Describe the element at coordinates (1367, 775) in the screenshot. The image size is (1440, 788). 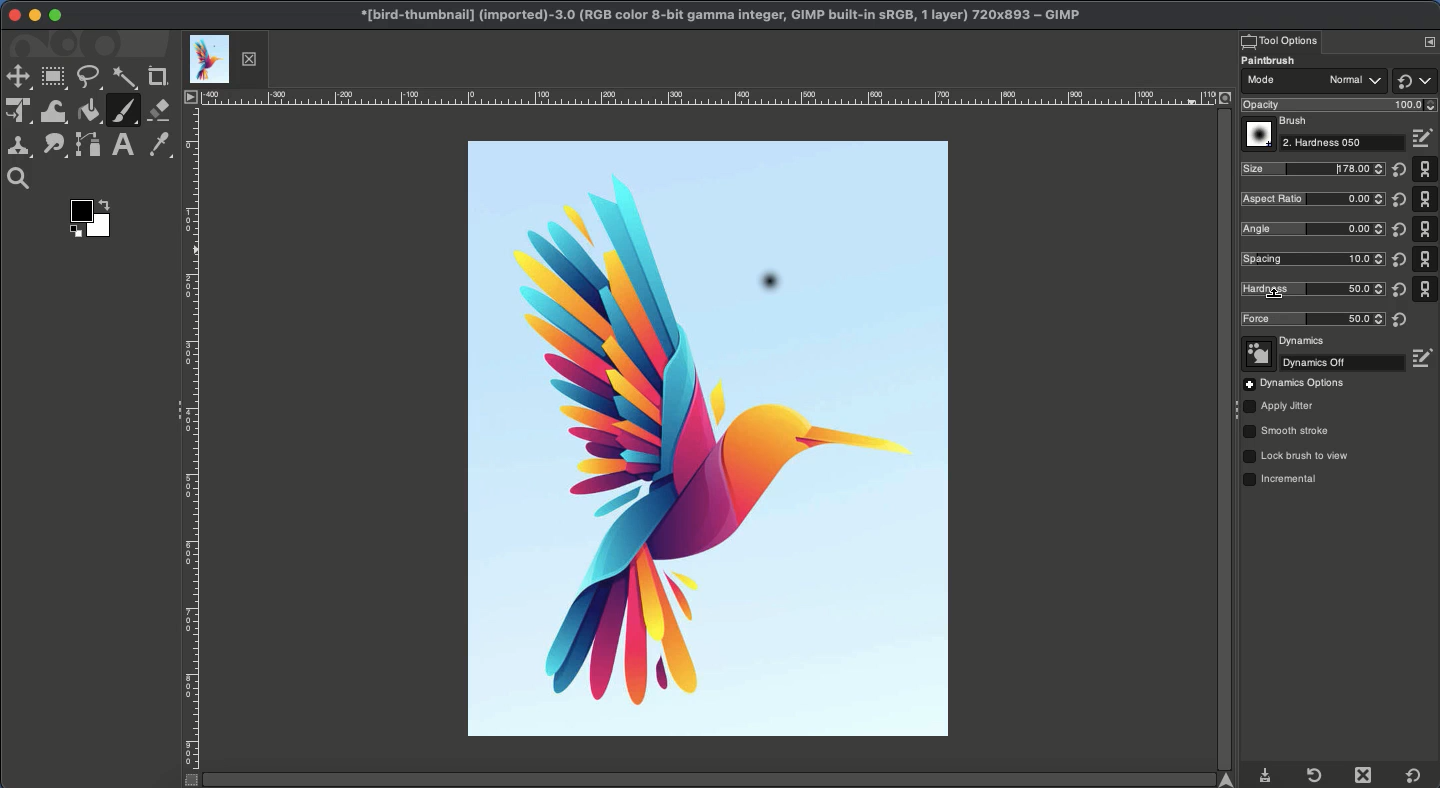
I see `Close` at that location.